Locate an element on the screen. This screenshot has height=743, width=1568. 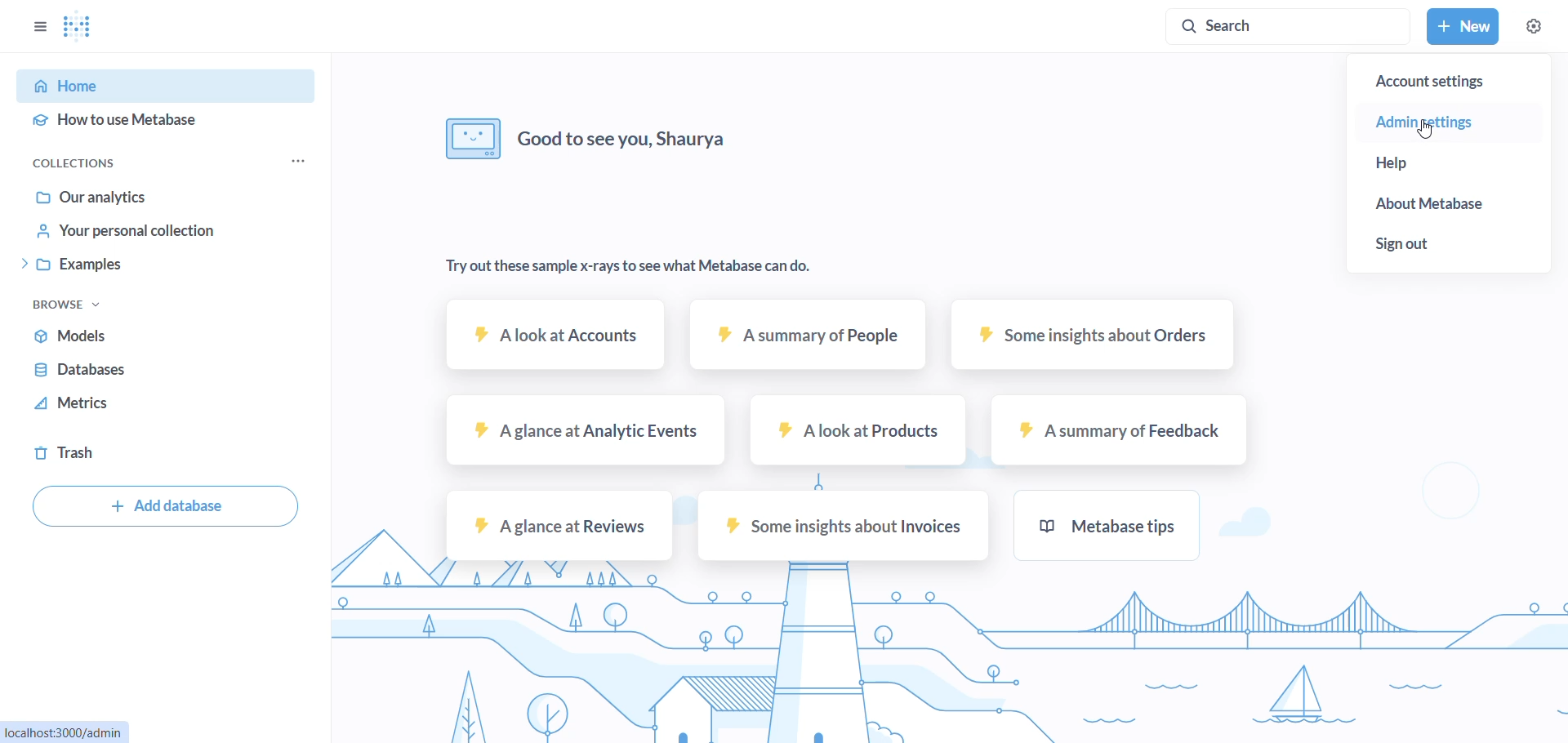
collections is located at coordinates (79, 163).